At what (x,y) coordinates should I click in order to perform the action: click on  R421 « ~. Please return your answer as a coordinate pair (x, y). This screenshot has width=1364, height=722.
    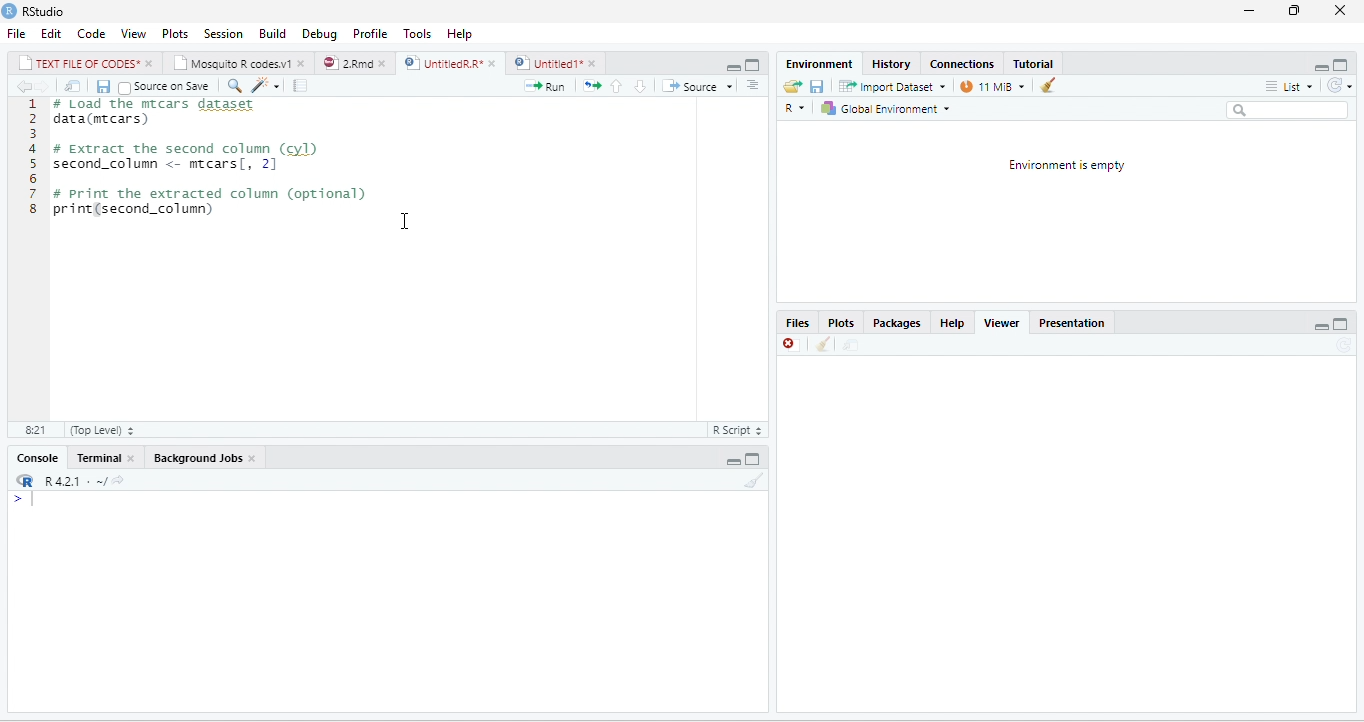
    Looking at the image, I should click on (66, 478).